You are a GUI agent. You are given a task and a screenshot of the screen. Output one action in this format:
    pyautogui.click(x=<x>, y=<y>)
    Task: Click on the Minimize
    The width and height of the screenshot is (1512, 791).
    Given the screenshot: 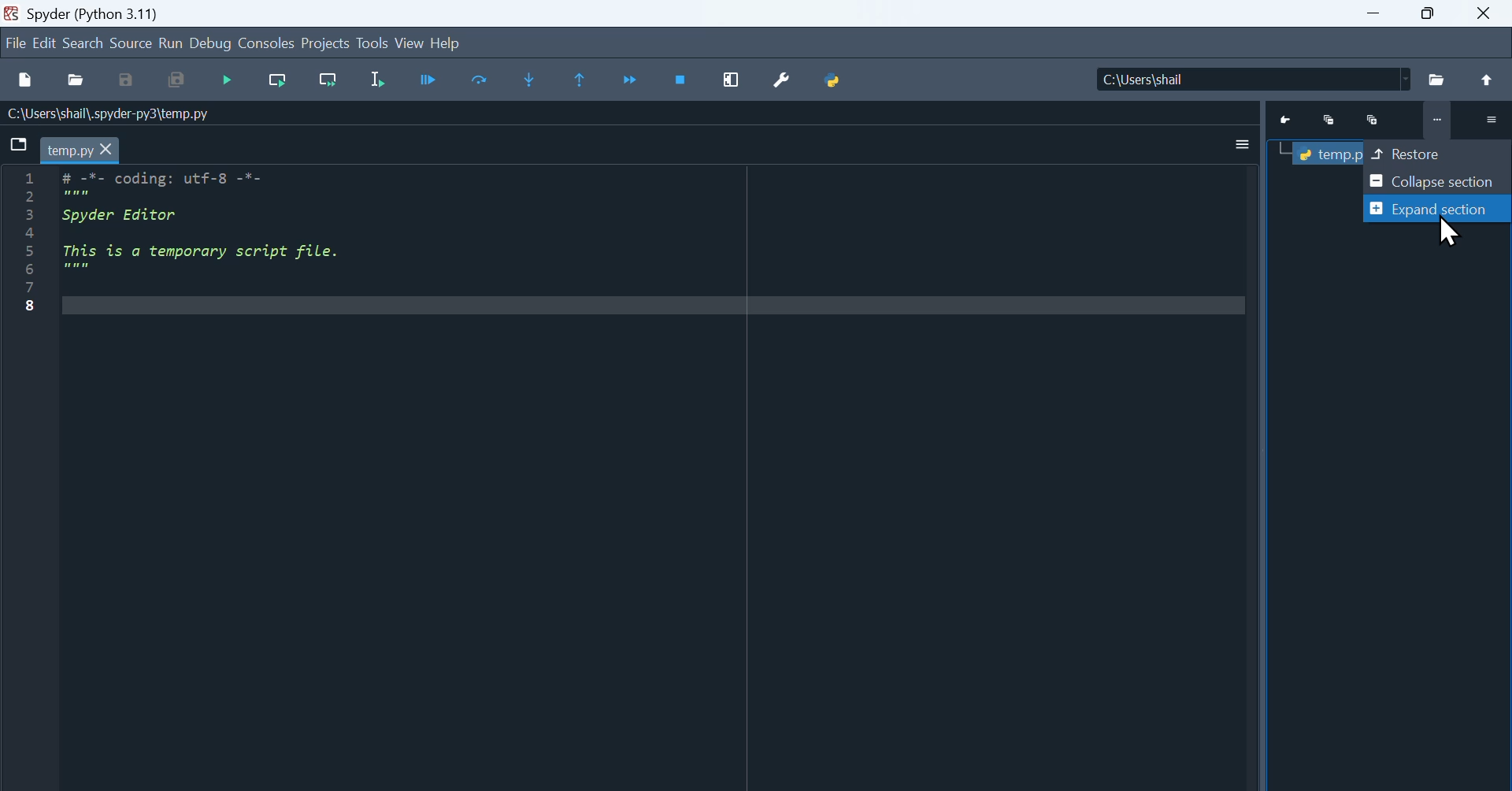 What is the action you would take?
    pyautogui.click(x=1332, y=121)
    